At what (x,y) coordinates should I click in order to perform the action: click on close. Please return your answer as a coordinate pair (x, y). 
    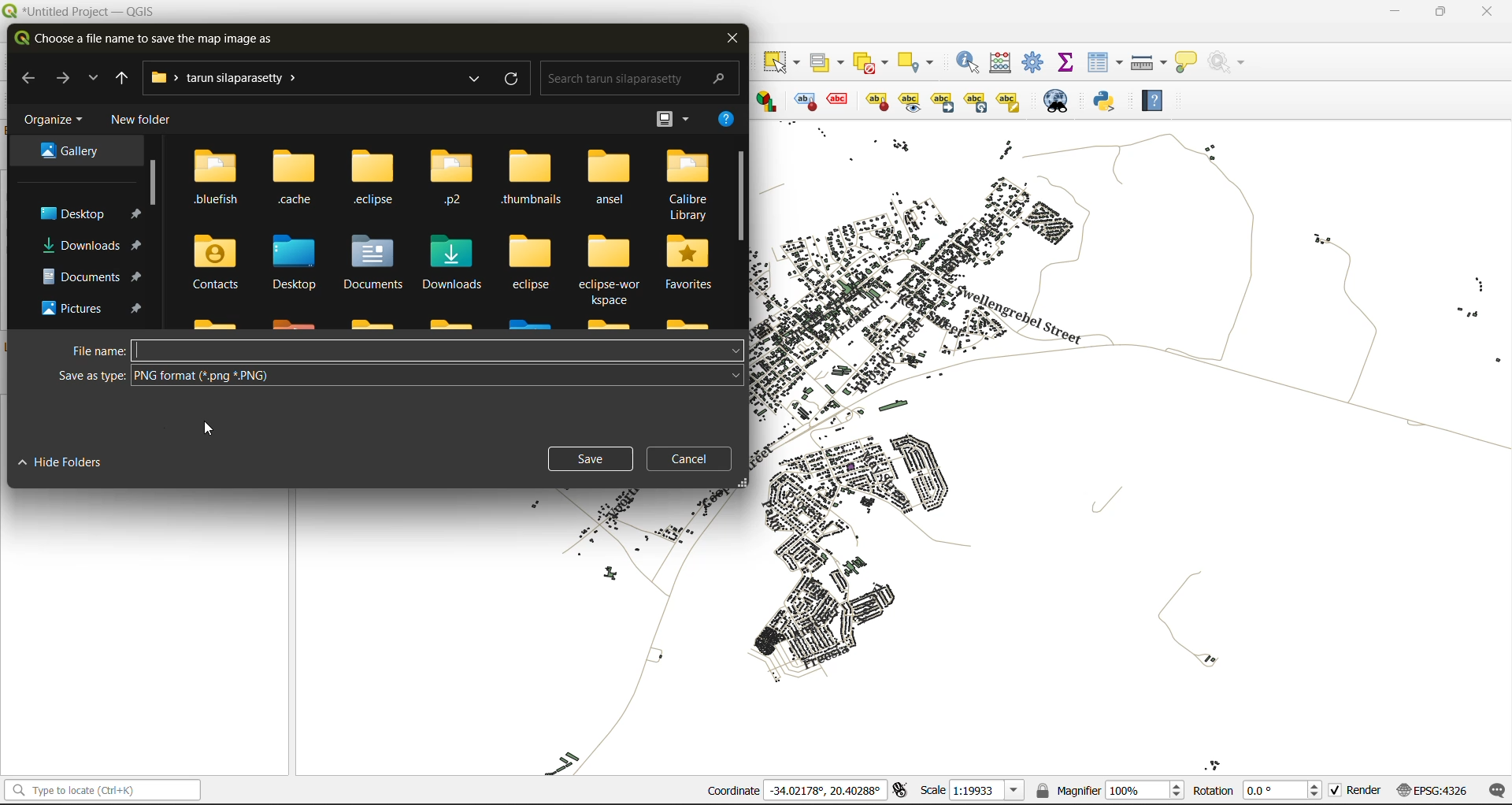
    Looking at the image, I should click on (732, 39).